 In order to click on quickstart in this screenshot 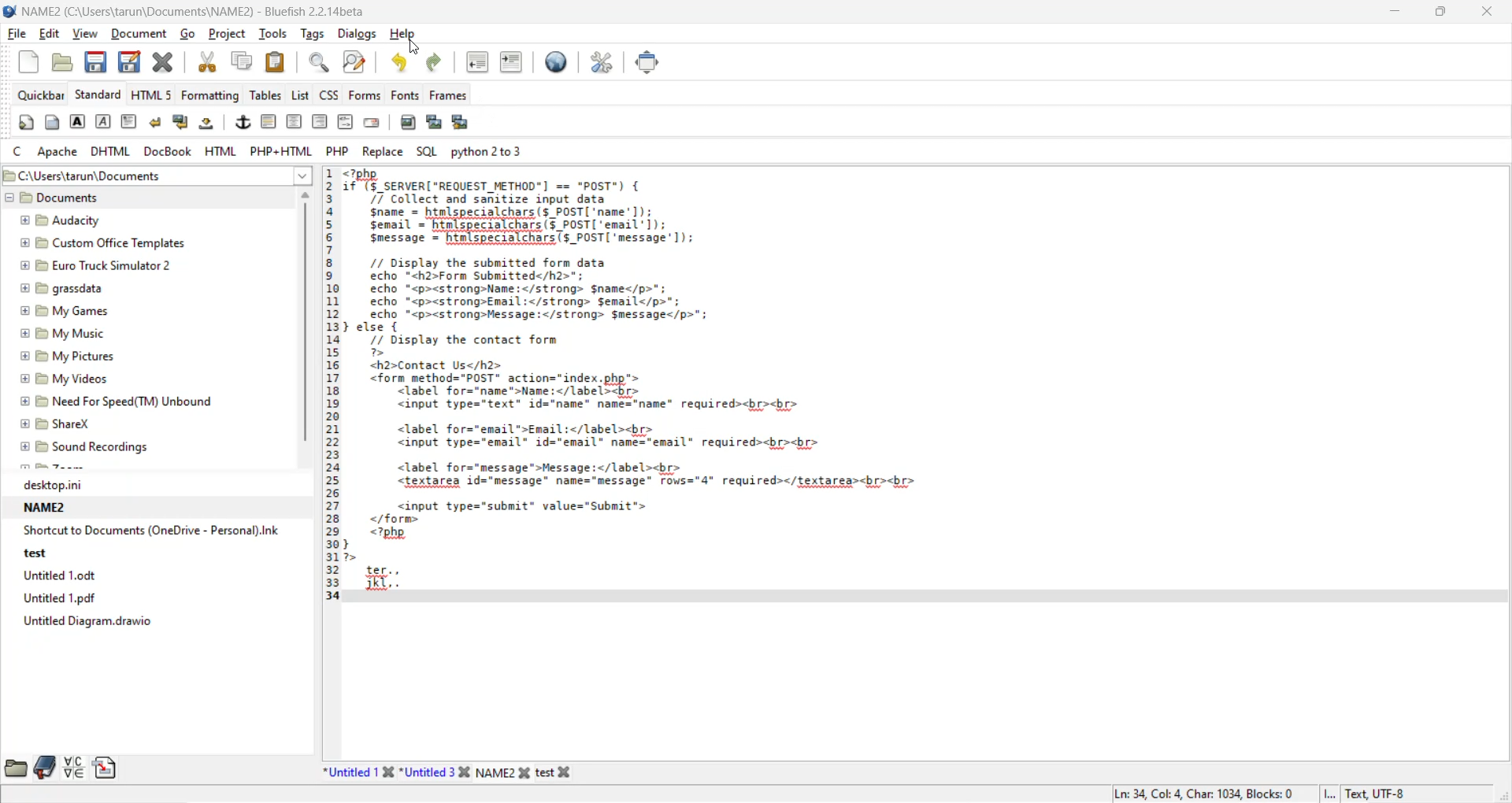, I will do `click(28, 123)`.